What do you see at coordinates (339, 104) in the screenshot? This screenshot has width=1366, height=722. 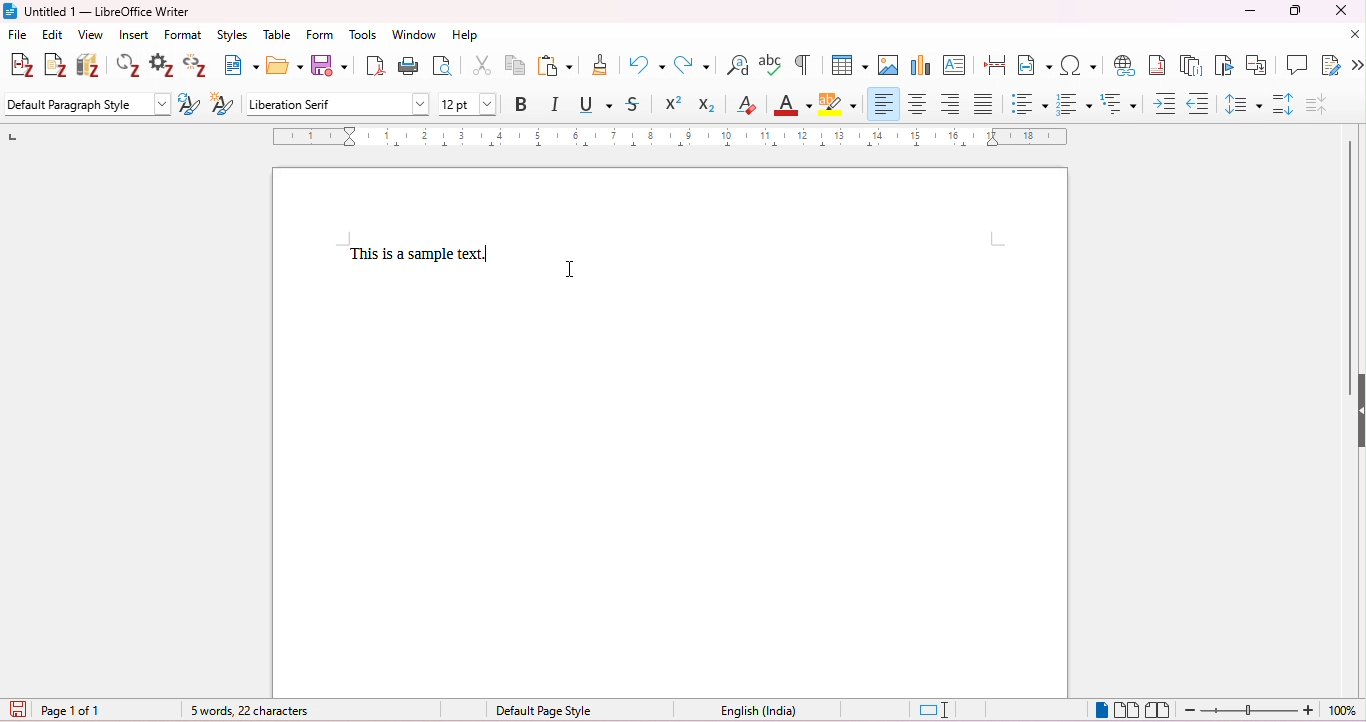 I see `font style` at bounding box center [339, 104].